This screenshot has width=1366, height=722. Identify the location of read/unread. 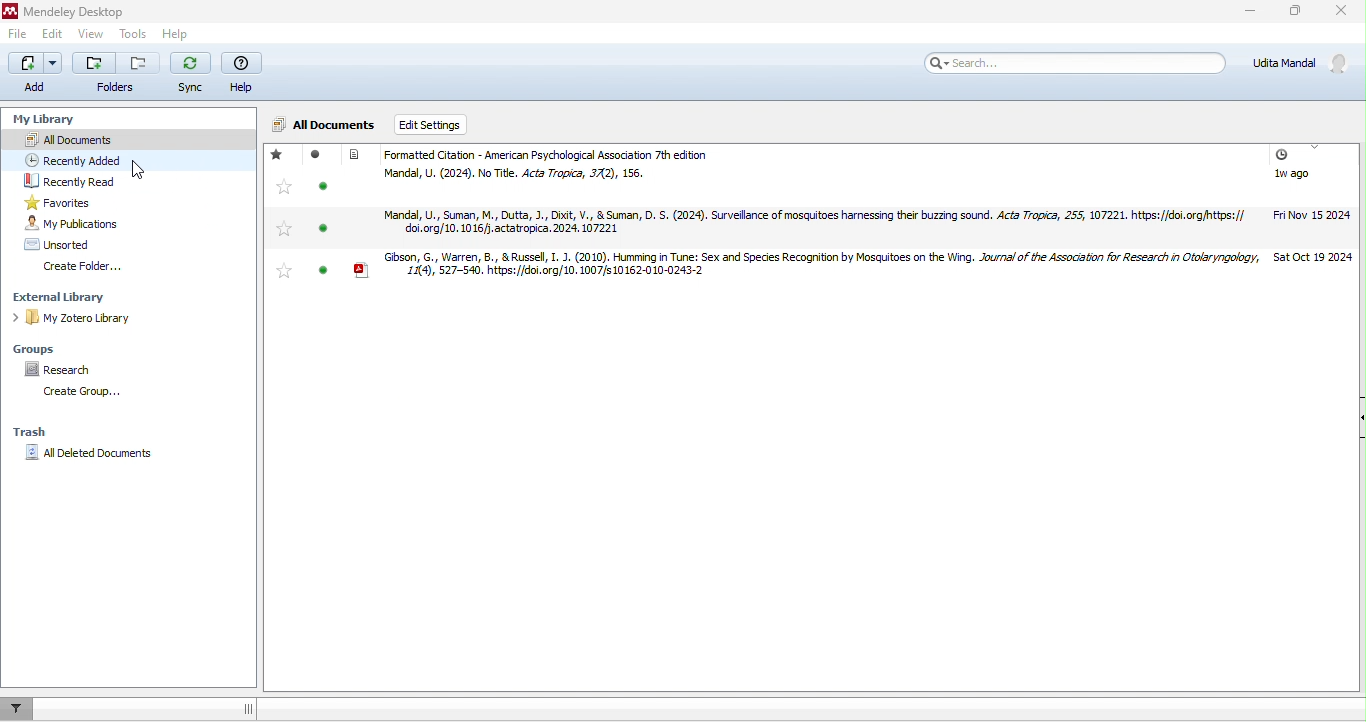
(324, 231).